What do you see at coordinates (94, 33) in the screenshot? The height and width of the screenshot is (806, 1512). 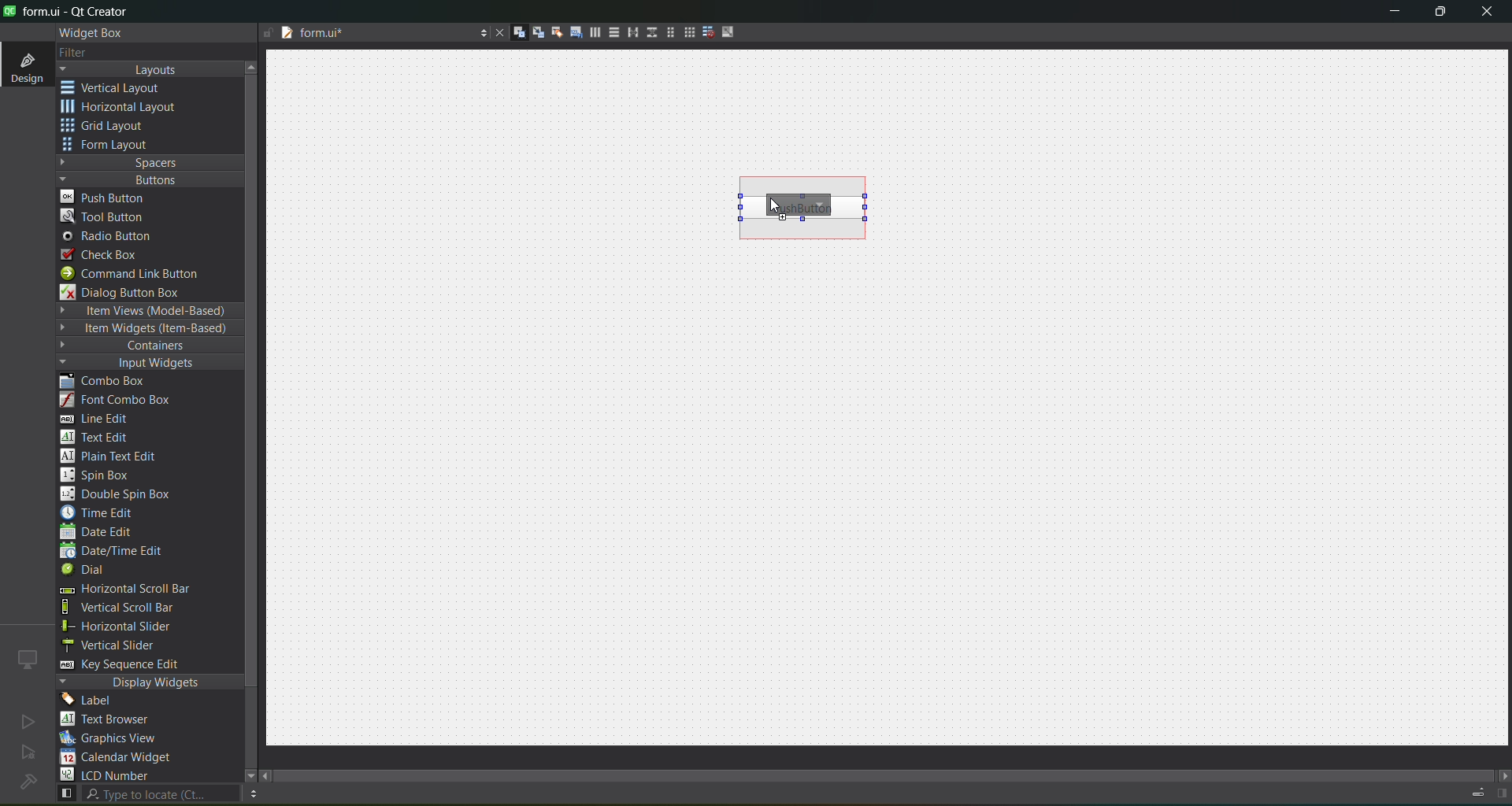 I see `widget box` at bounding box center [94, 33].